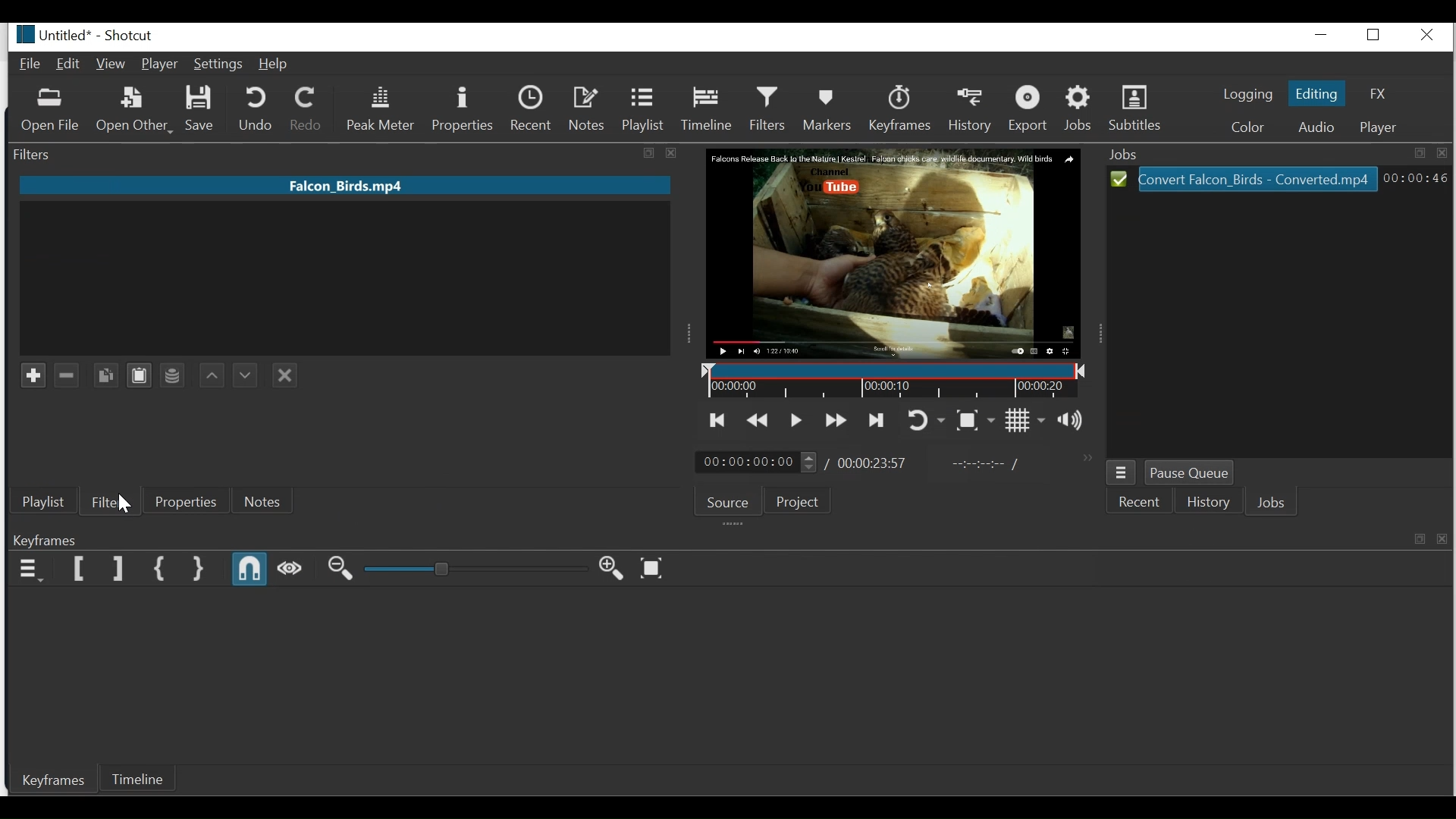 This screenshot has height=819, width=1456. What do you see at coordinates (117, 570) in the screenshot?
I see `Set Filter End` at bounding box center [117, 570].